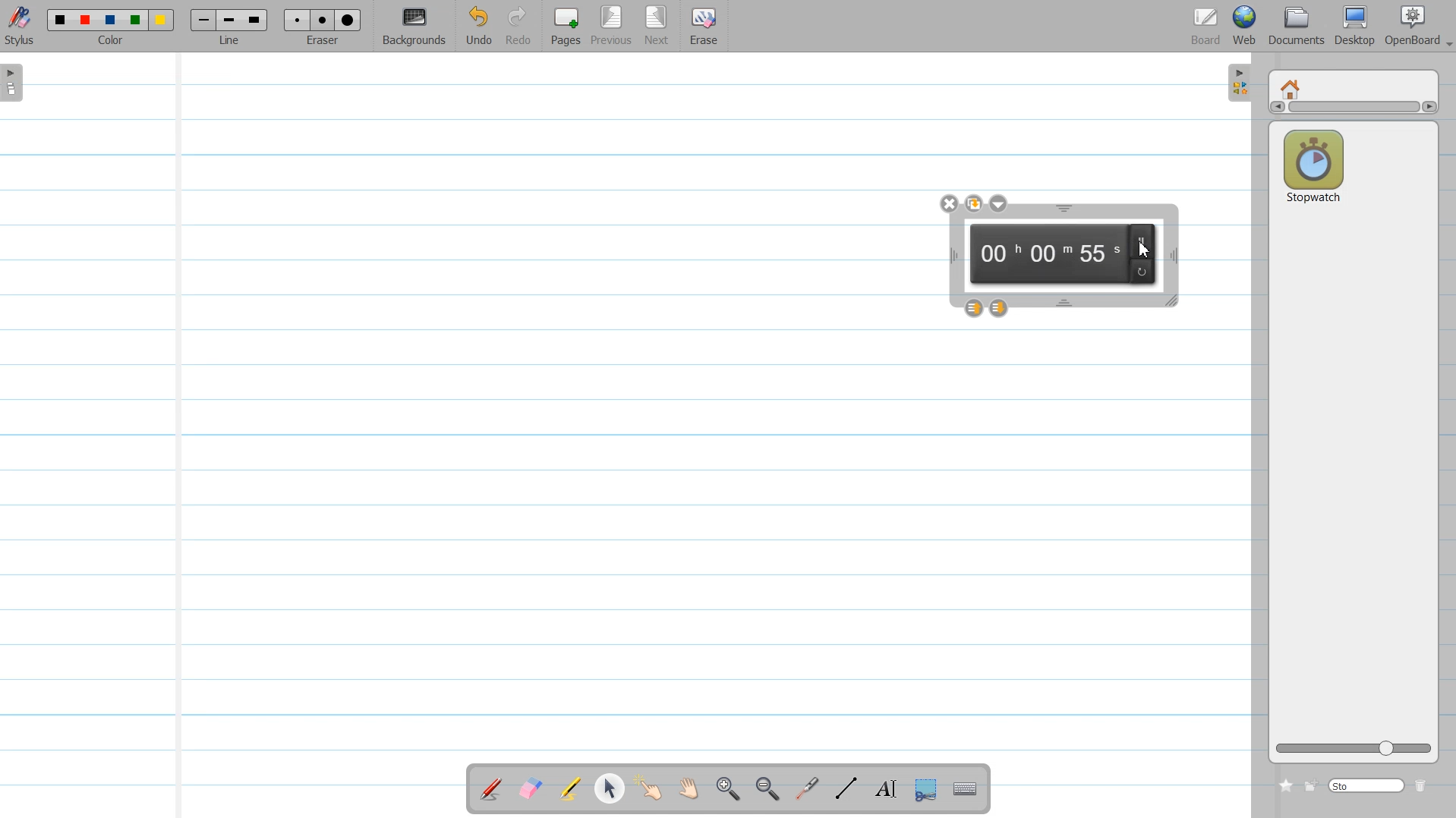 The image size is (1456, 818). What do you see at coordinates (1064, 209) in the screenshot?
I see `Time window Hight adjustment window ` at bounding box center [1064, 209].